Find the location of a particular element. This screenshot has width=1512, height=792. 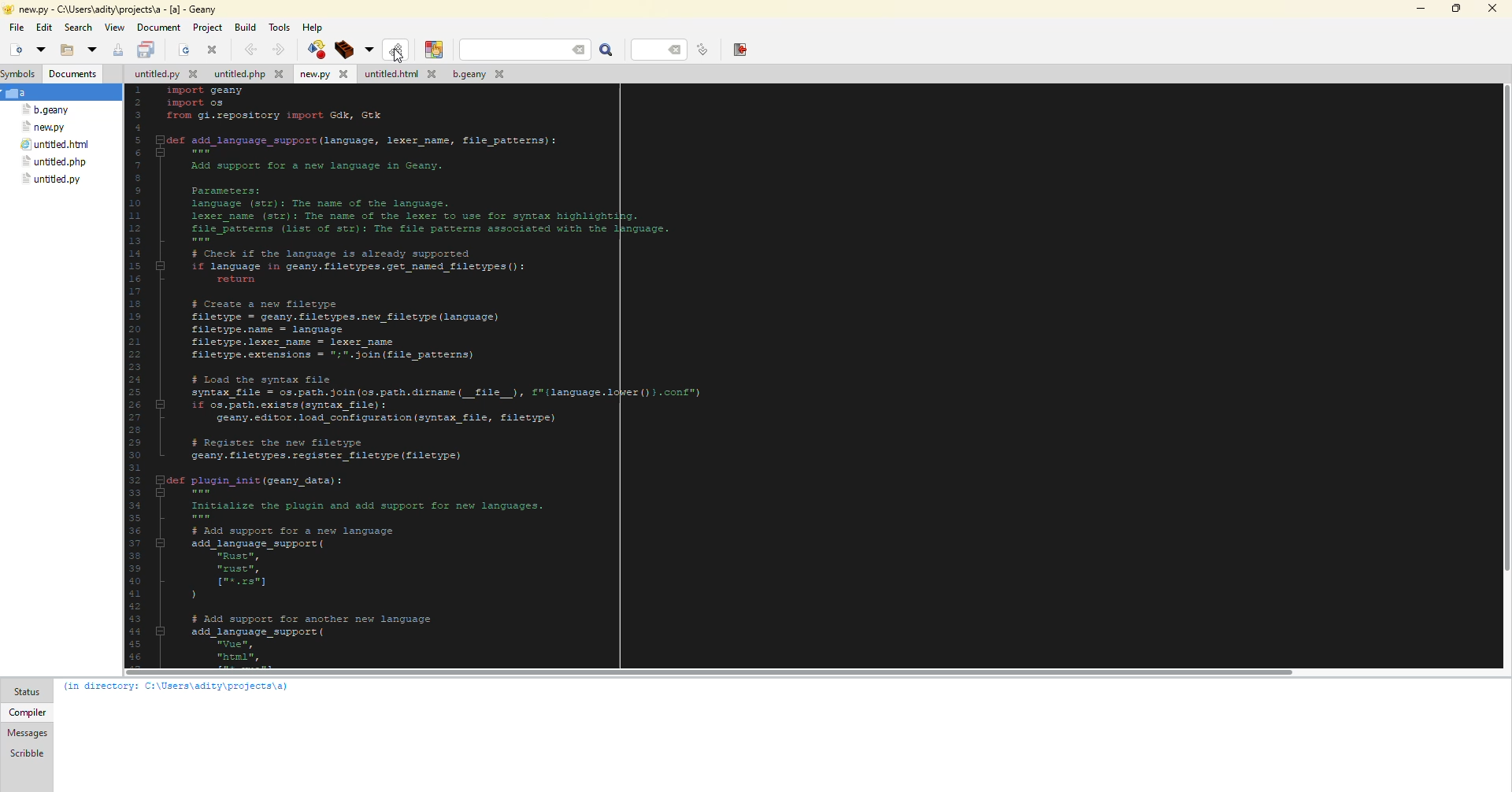

help is located at coordinates (313, 27).